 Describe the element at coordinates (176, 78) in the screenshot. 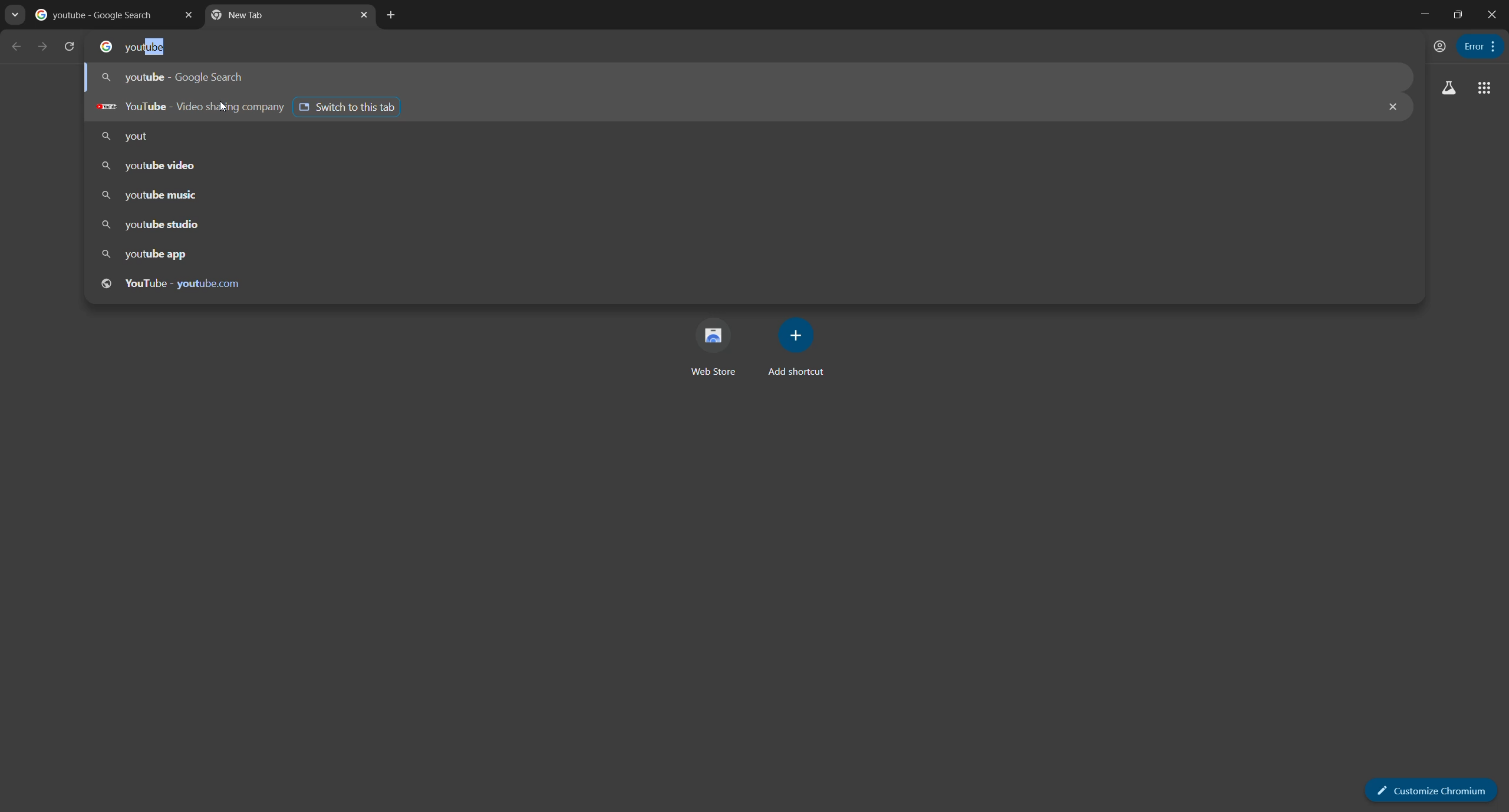

I see `youtube google search` at that location.